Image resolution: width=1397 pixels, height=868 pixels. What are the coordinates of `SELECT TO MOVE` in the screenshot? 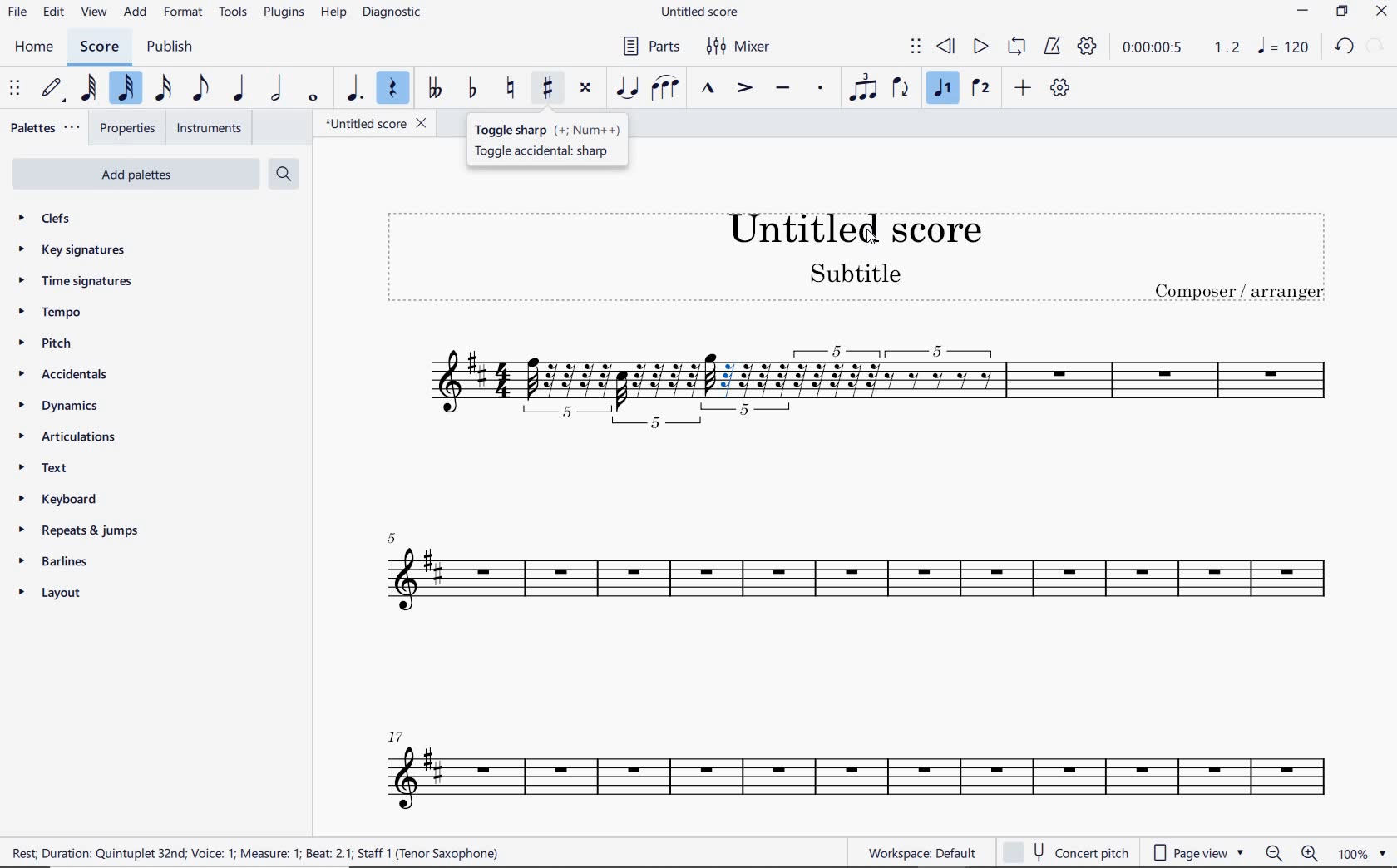 It's located at (916, 49).